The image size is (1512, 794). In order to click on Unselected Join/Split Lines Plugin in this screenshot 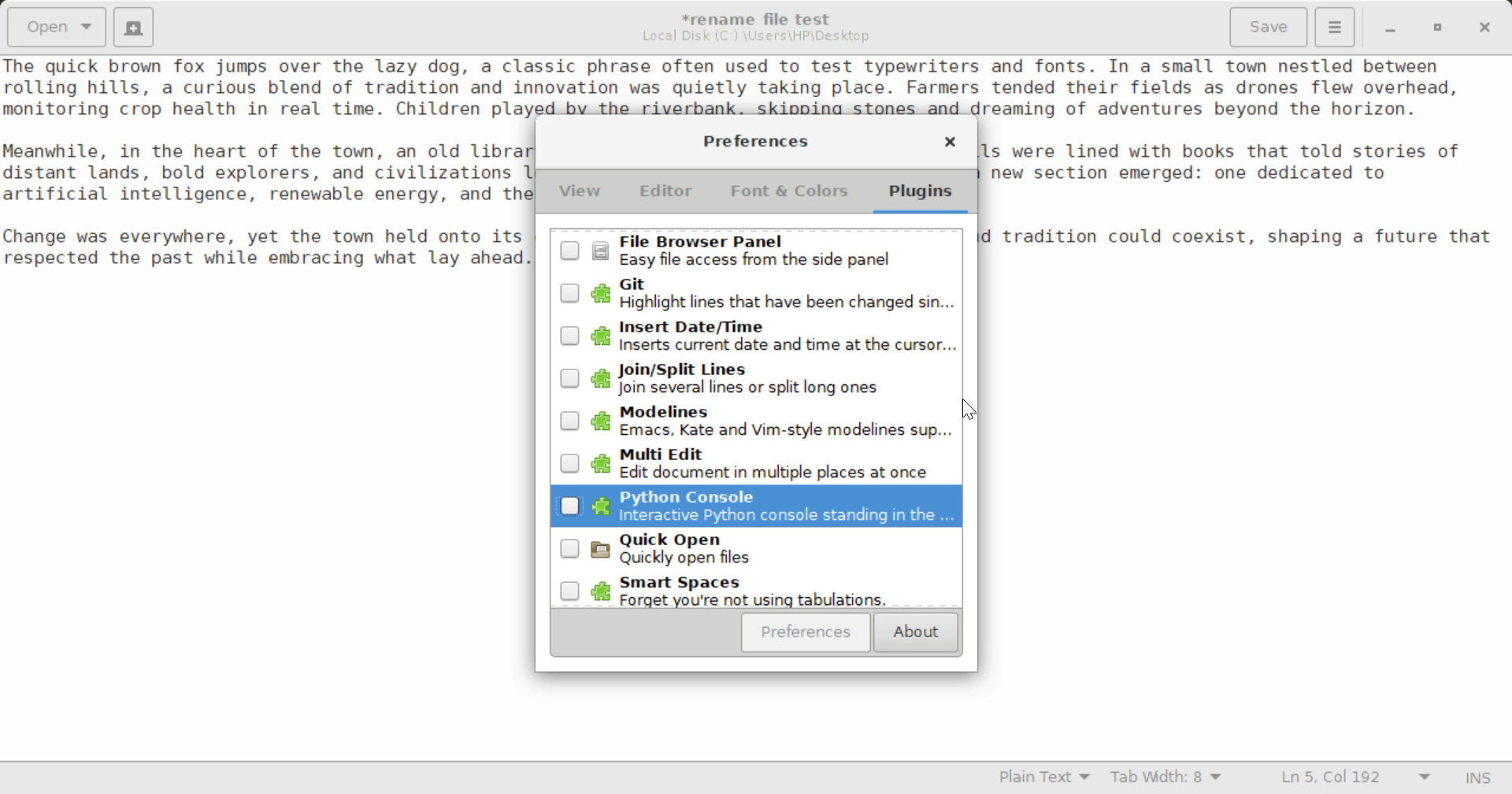, I will do `click(756, 379)`.